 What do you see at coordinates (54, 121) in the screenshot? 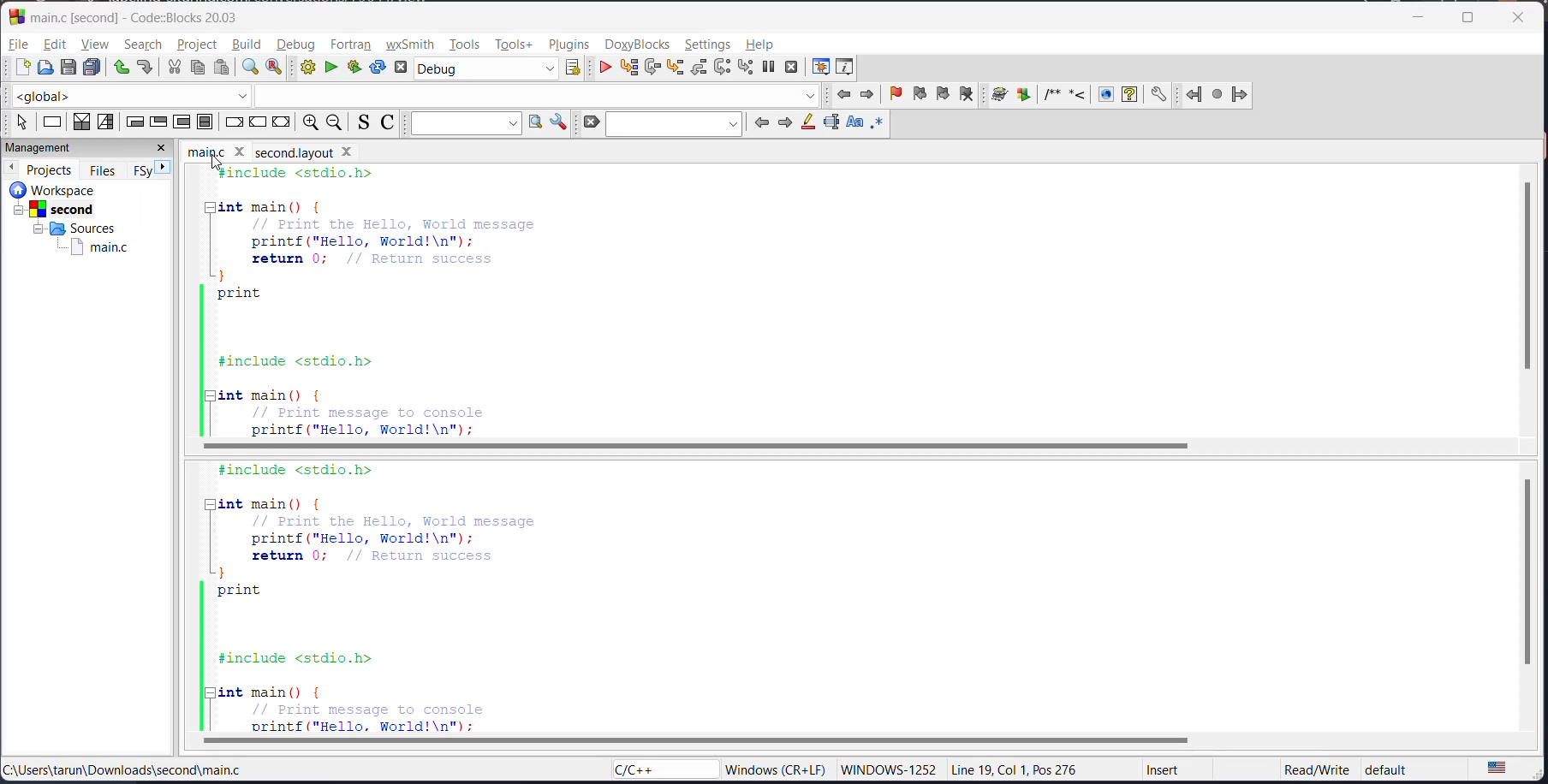
I see `instruction` at bounding box center [54, 121].